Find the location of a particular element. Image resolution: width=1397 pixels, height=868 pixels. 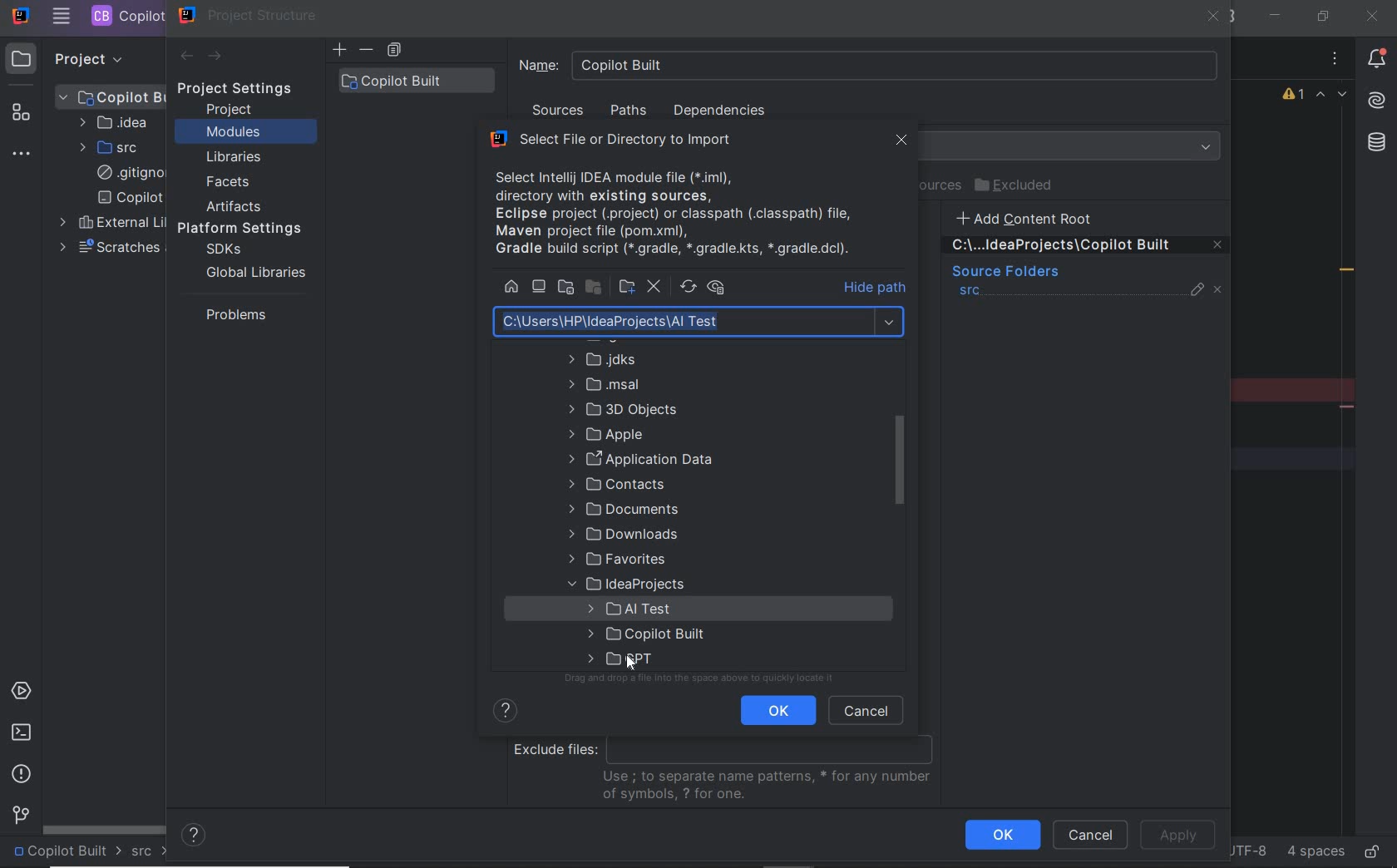

show hidden files and directories is located at coordinates (716, 288).